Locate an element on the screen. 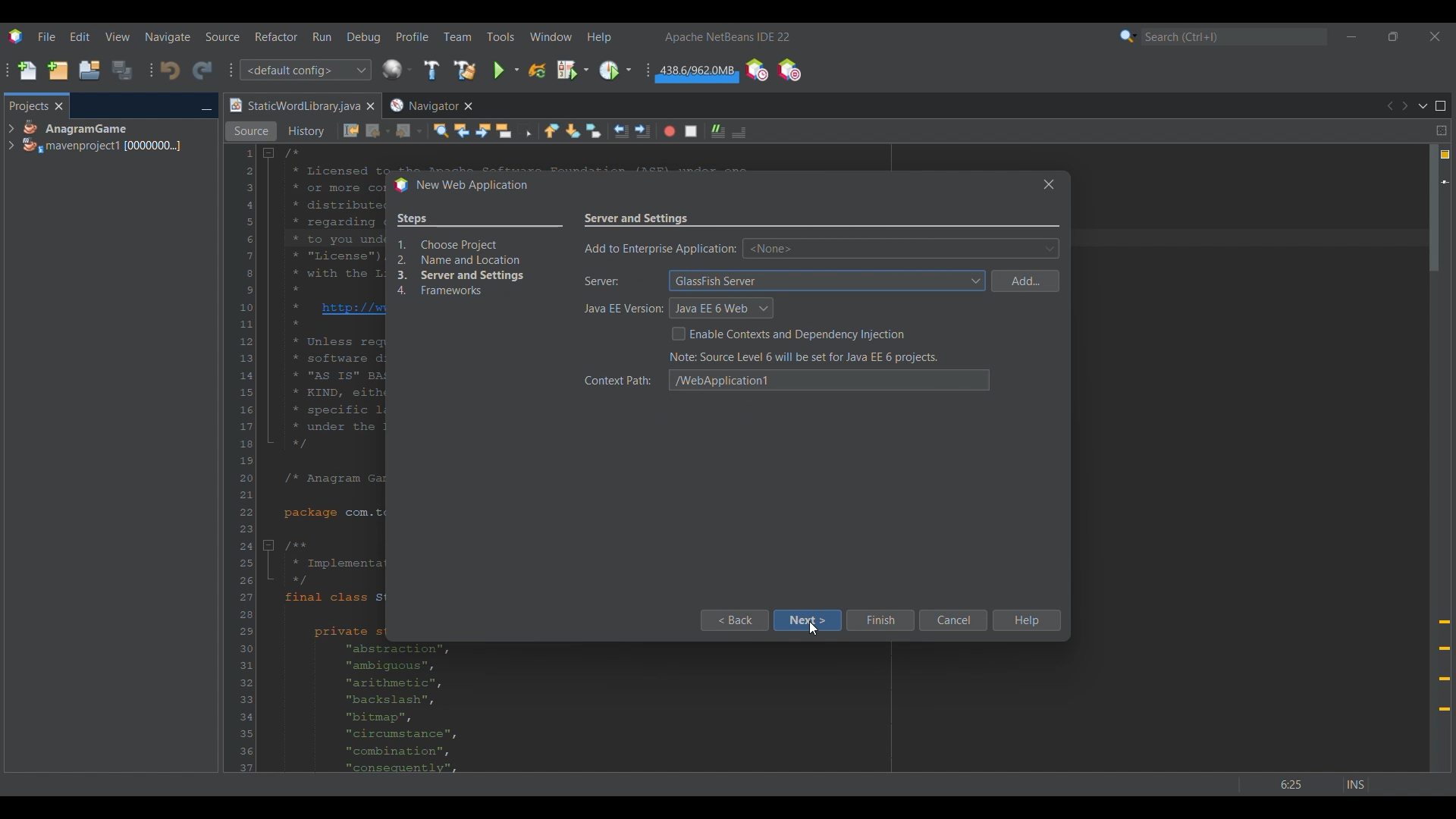 This screenshot has height=819, width=1456. Next bookmark is located at coordinates (573, 131).